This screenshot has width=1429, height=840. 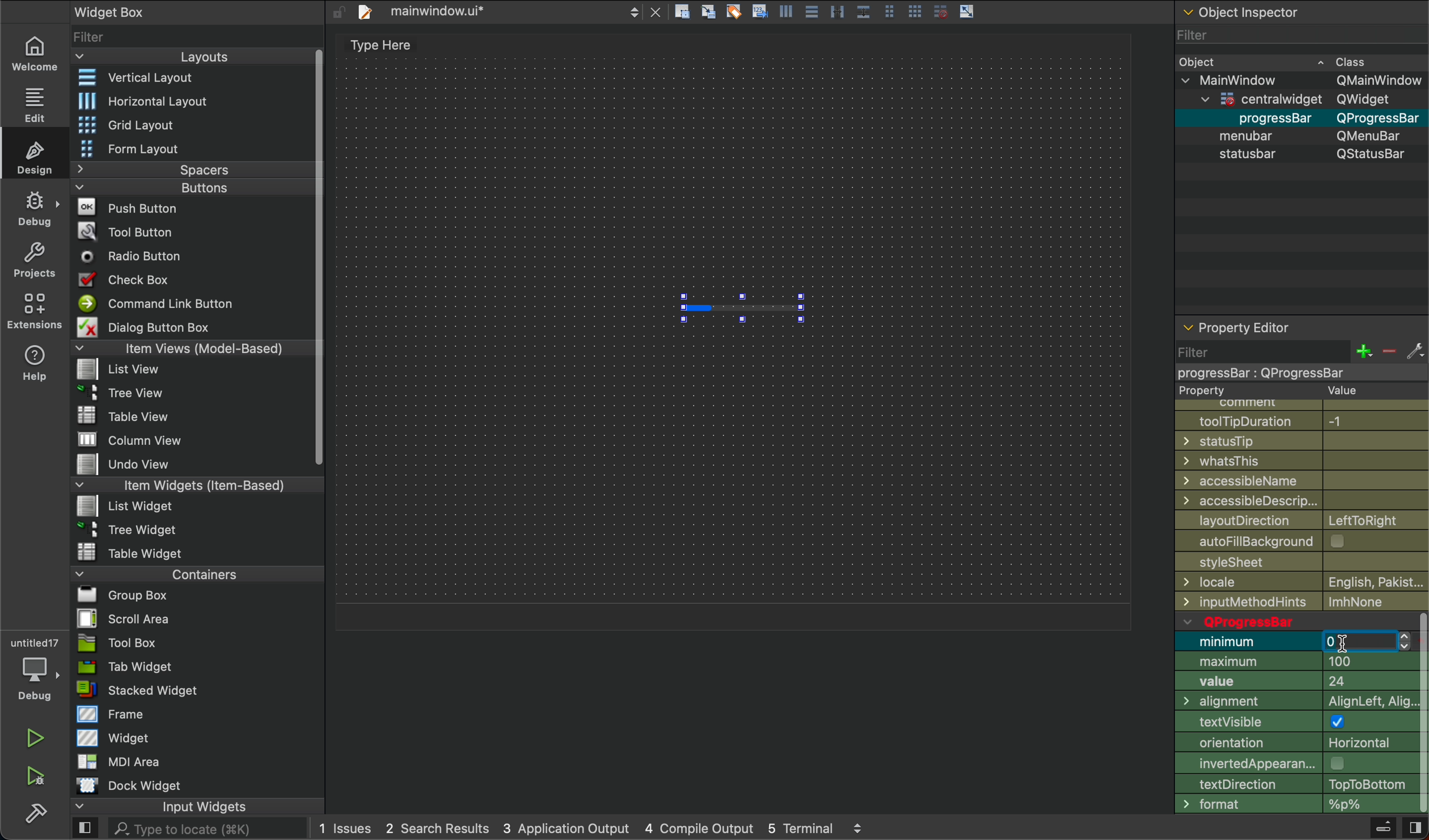 What do you see at coordinates (1293, 745) in the screenshot?
I see `Orientation ` at bounding box center [1293, 745].